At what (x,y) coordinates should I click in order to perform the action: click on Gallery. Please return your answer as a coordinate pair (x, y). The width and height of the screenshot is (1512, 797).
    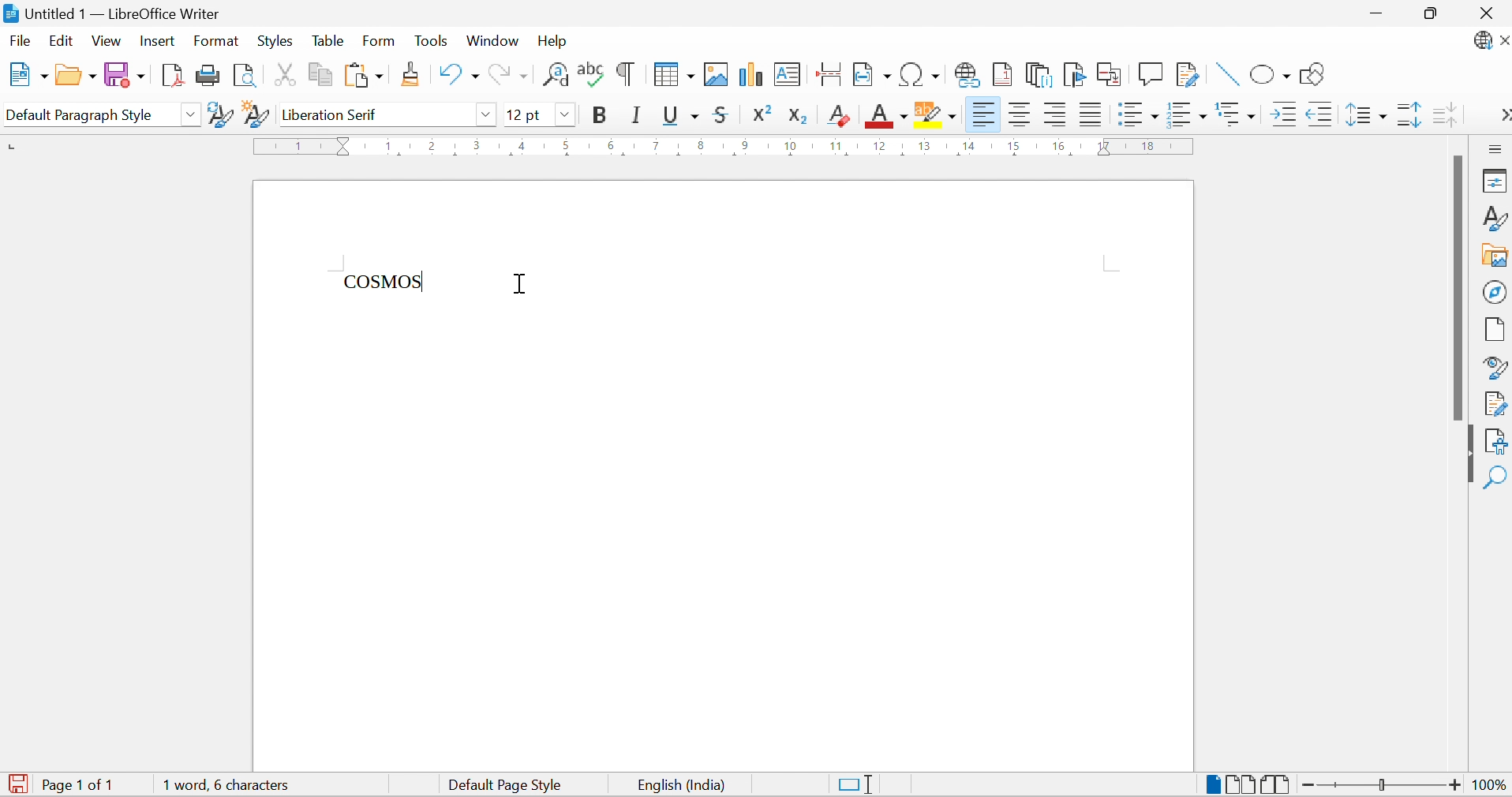
    Looking at the image, I should click on (1496, 256).